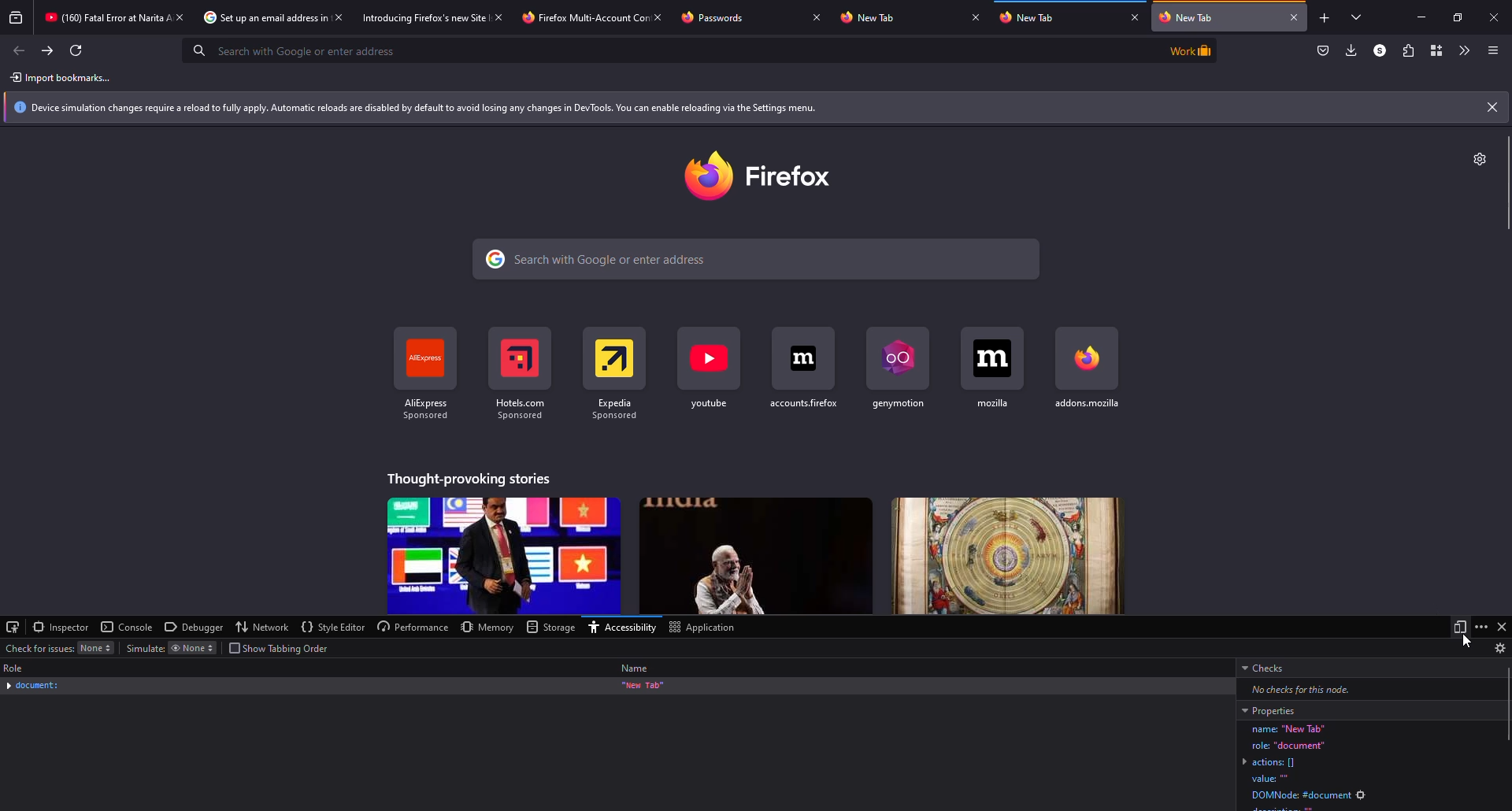  What do you see at coordinates (1508, 704) in the screenshot?
I see `Vertical slide bar` at bounding box center [1508, 704].